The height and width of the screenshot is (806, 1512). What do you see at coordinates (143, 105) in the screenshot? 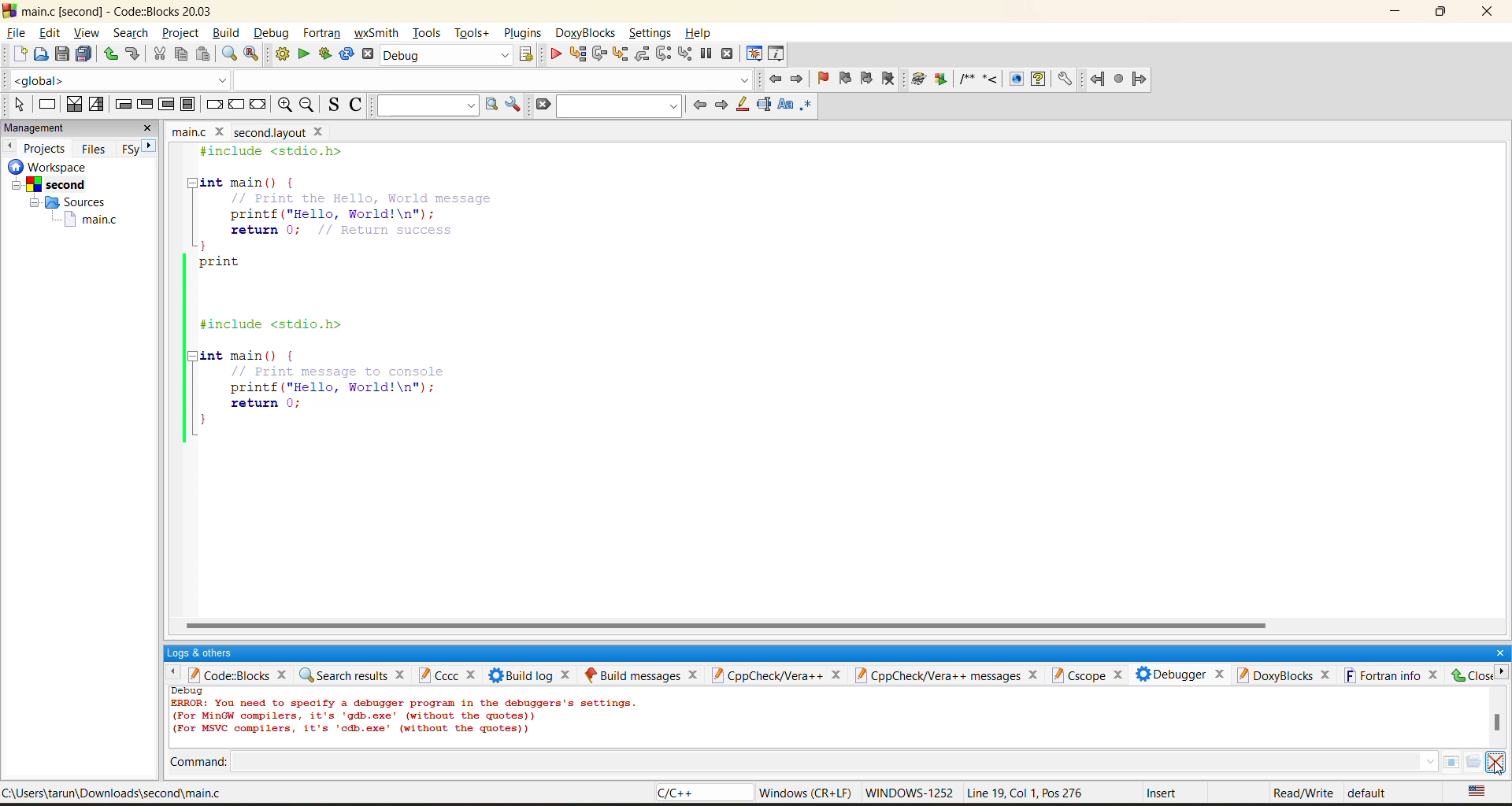
I see `exit condition loop` at bounding box center [143, 105].